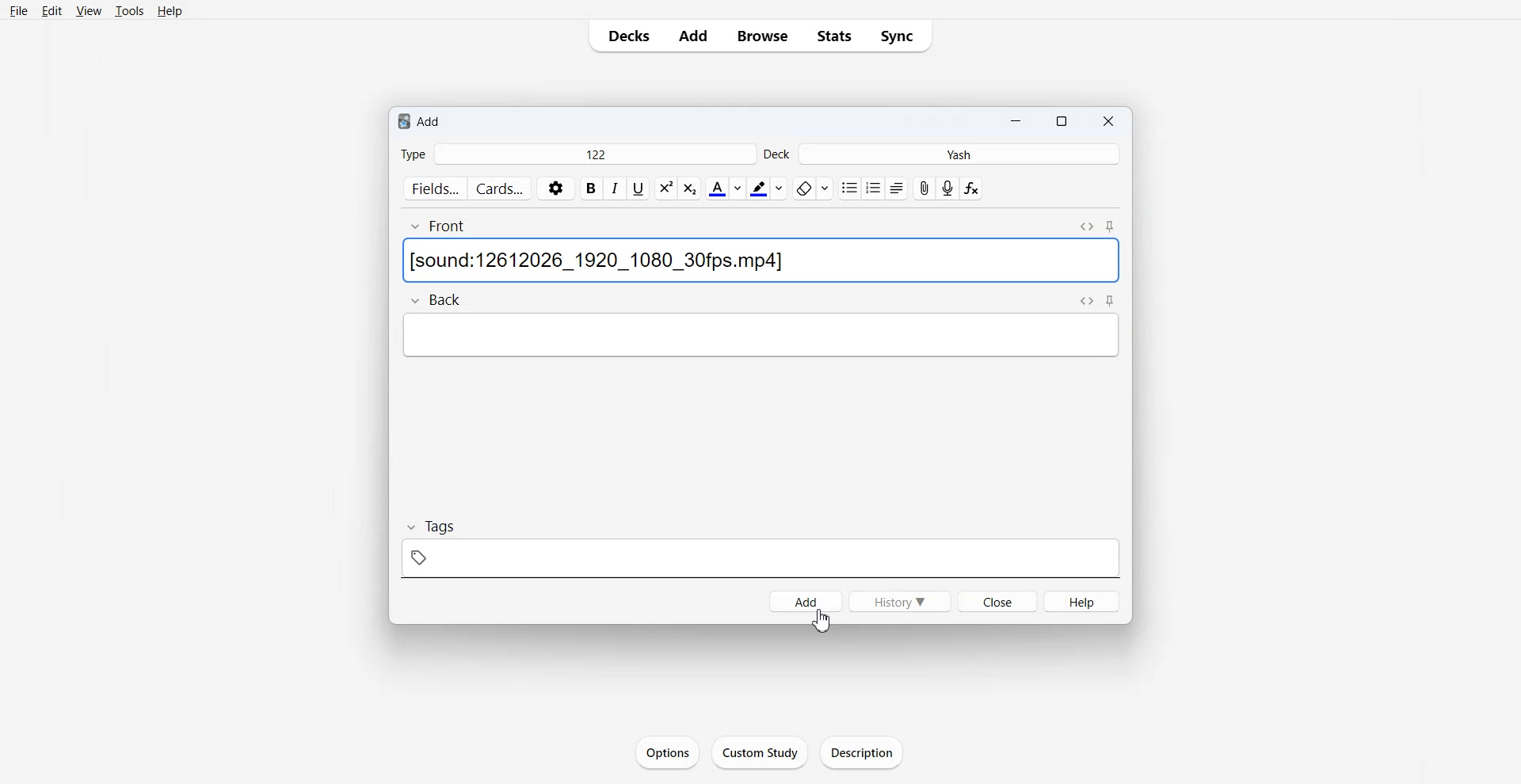 Image resolution: width=1521 pixels, height=784 pixels. What do you see at coordinates (1014, 120) in the screenshot?
I see `Minimize` at bounding box center [1014, 120].